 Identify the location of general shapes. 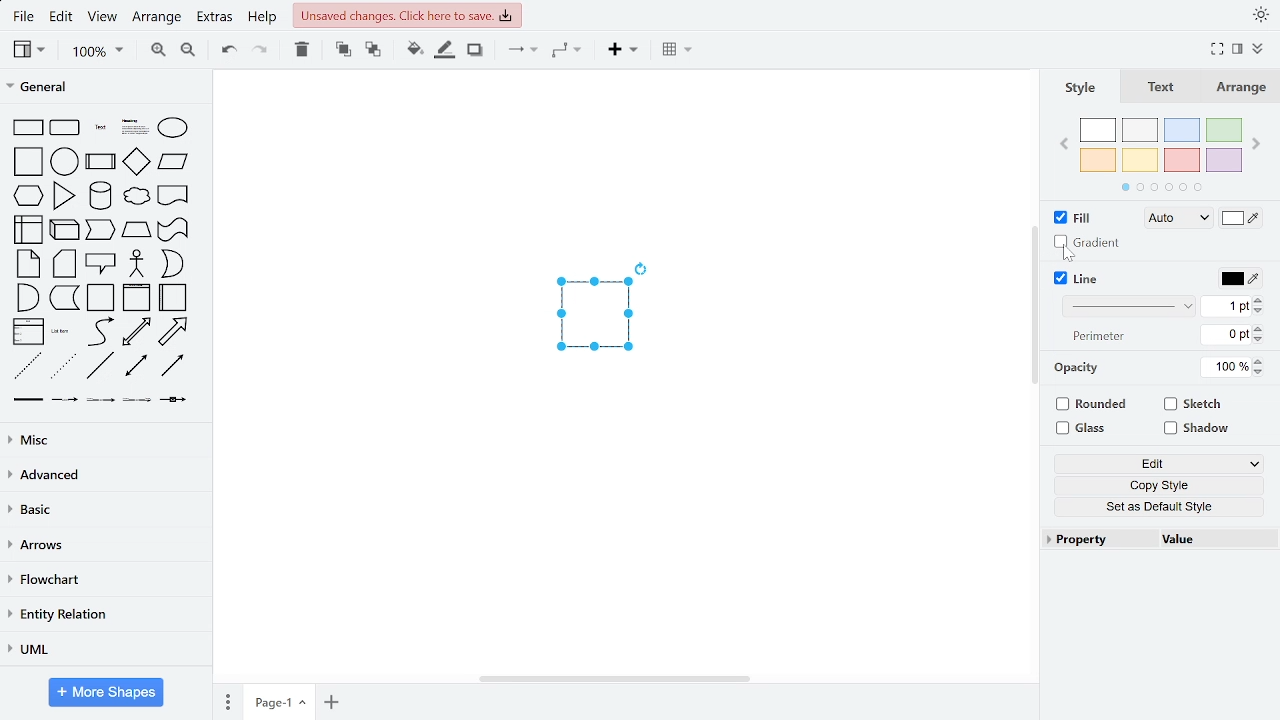
(25, 365).